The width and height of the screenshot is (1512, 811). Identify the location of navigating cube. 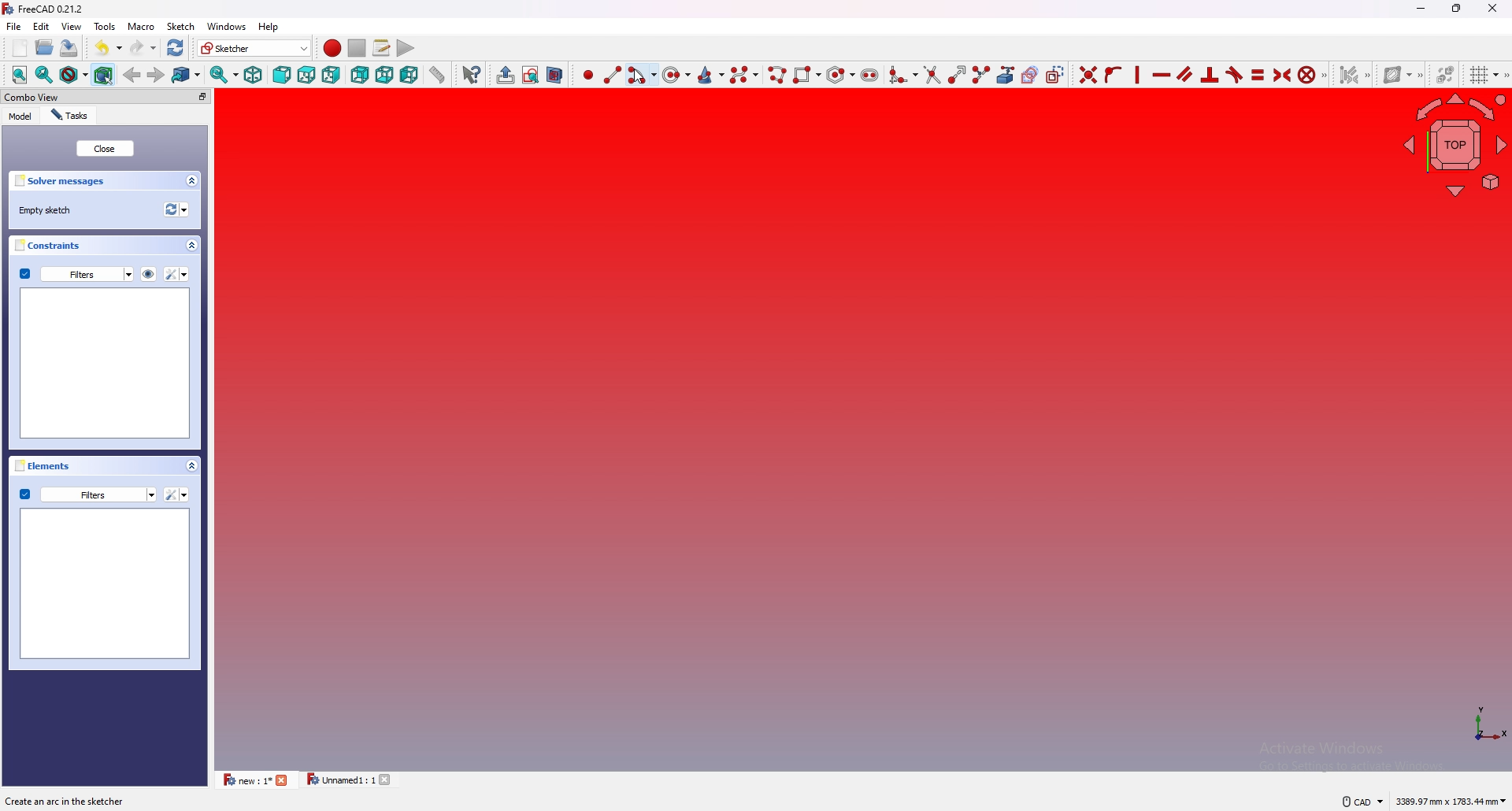
(1455, 143).